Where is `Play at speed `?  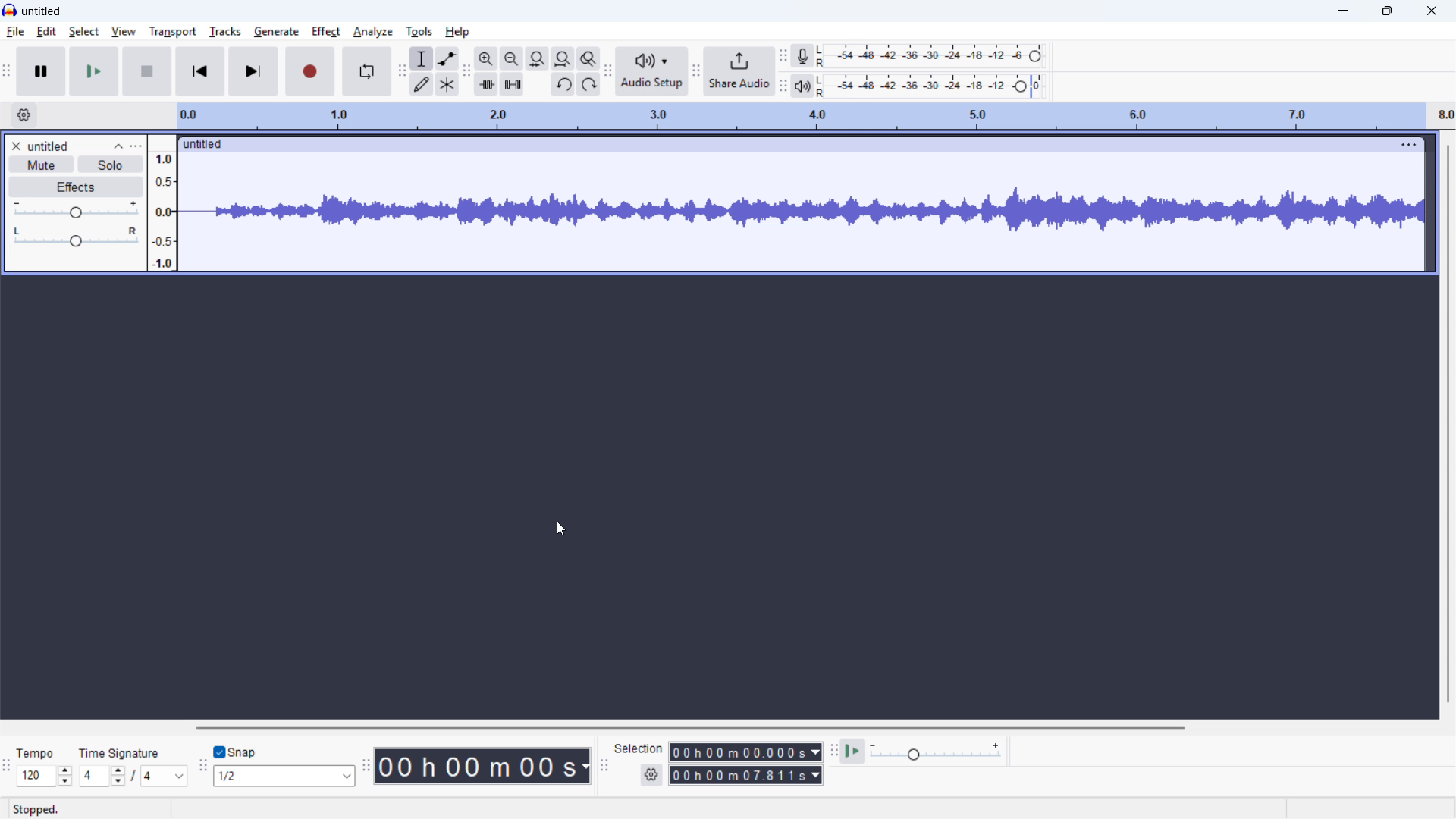 Play at speed  is located at coordinates (851, 752).